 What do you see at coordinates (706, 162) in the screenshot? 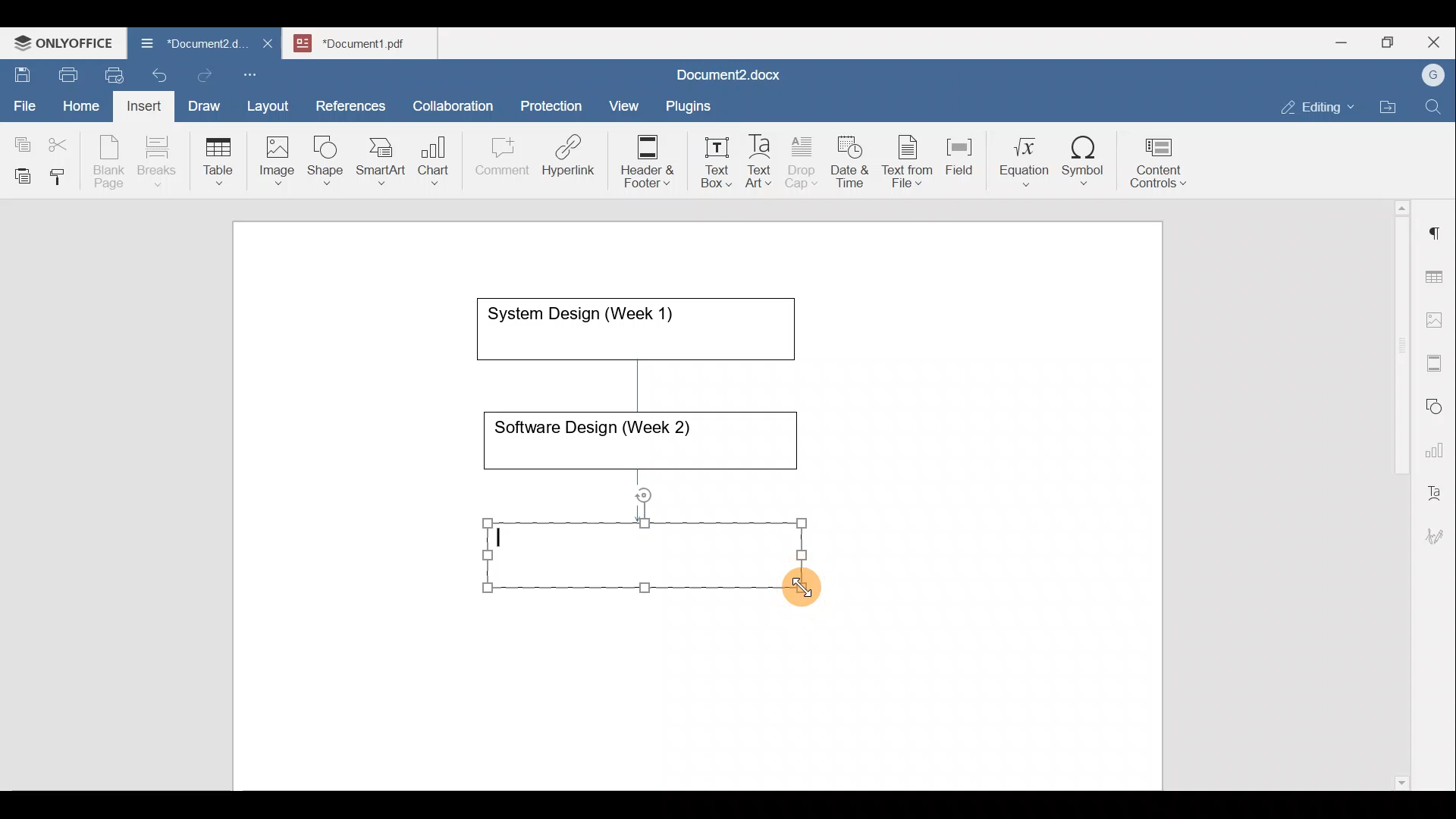
I see `Text box` at bounding box center [706, 162].